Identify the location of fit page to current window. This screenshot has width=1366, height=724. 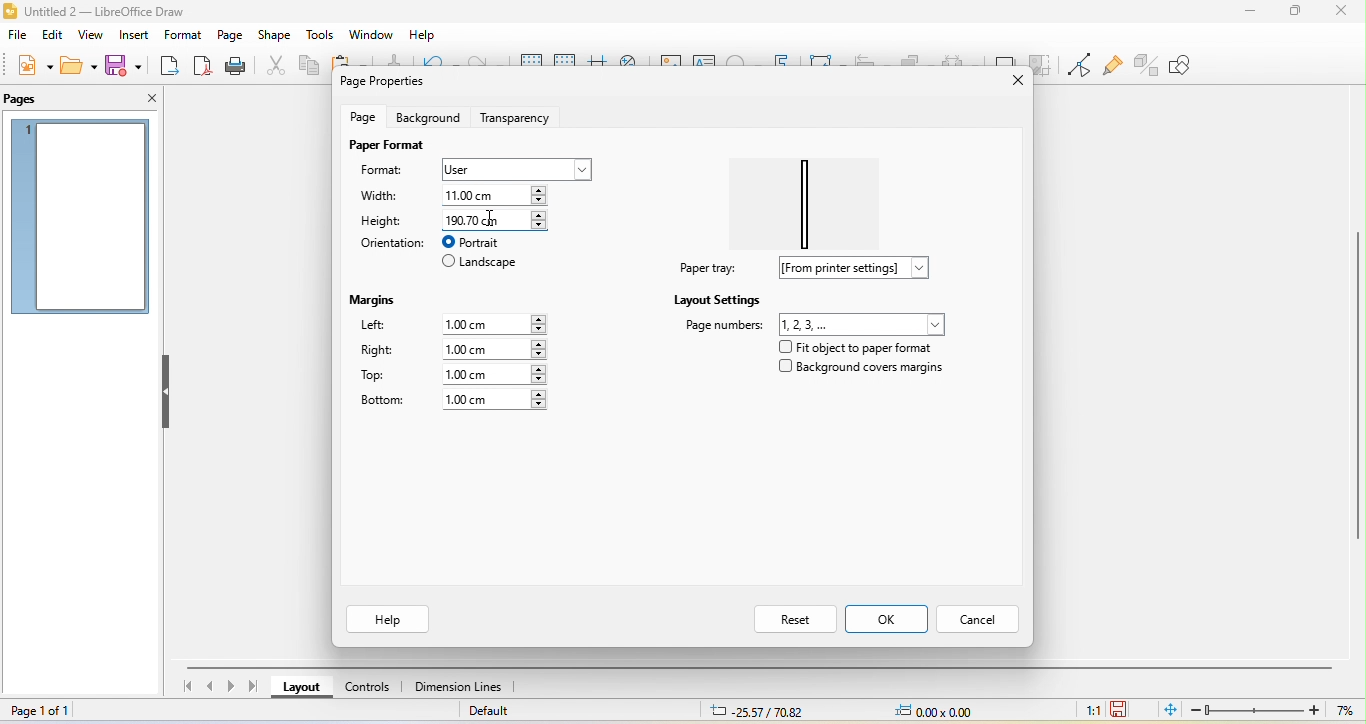
(1169, 709).